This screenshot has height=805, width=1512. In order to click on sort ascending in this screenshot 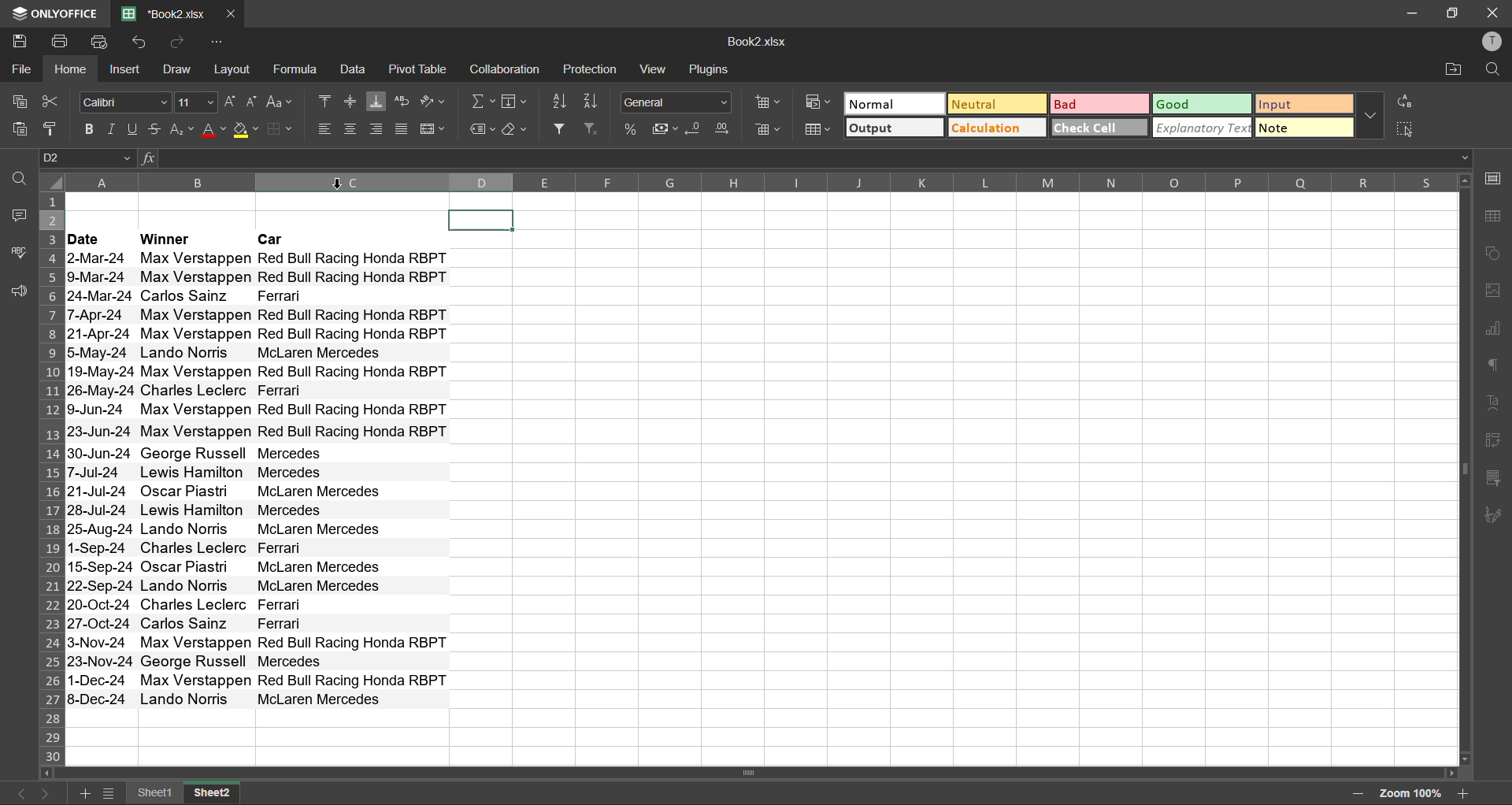, I will do `click(562, 105)`.